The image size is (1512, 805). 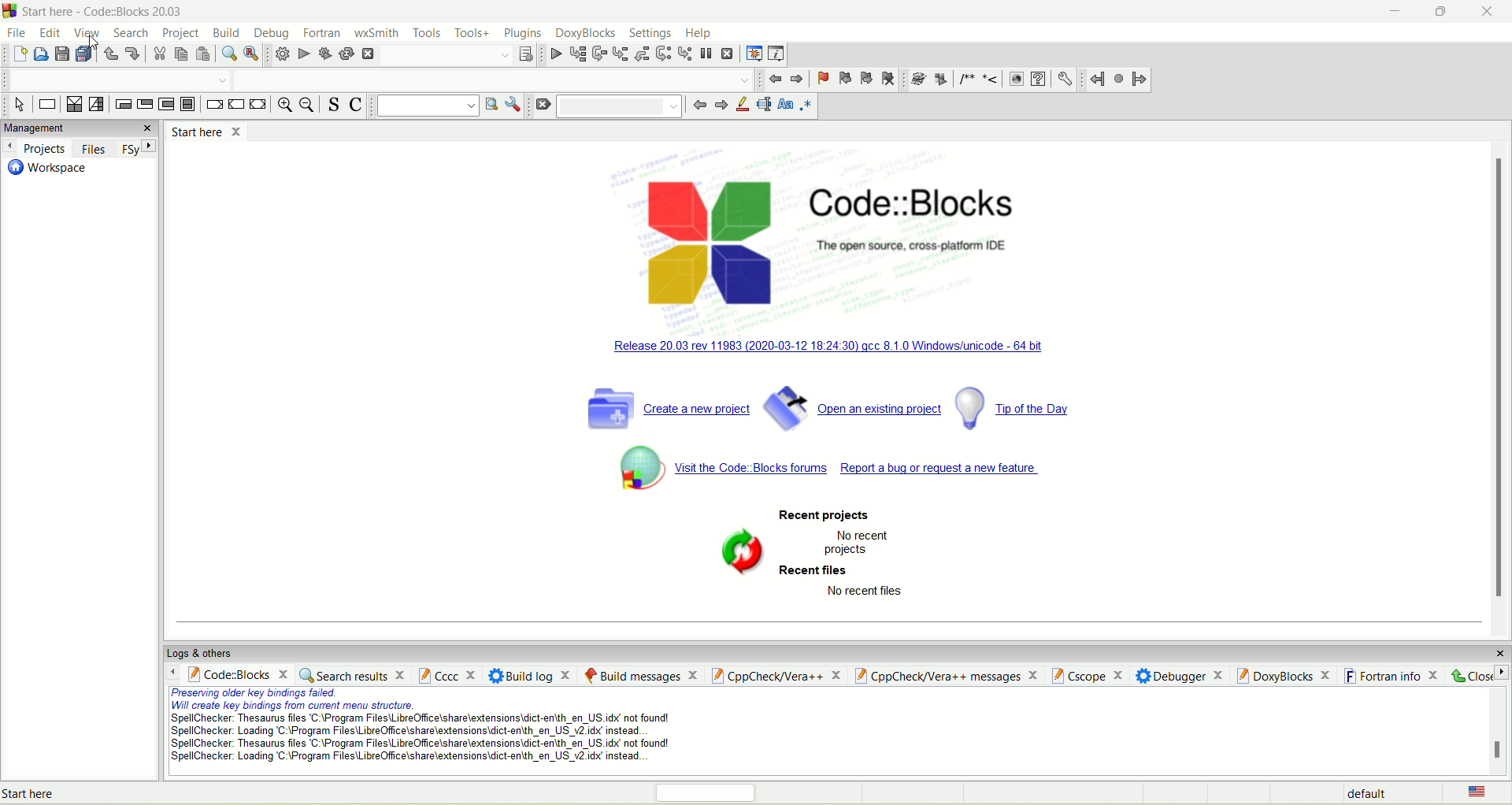 I want to click on tools, so click(x=426, y=33).